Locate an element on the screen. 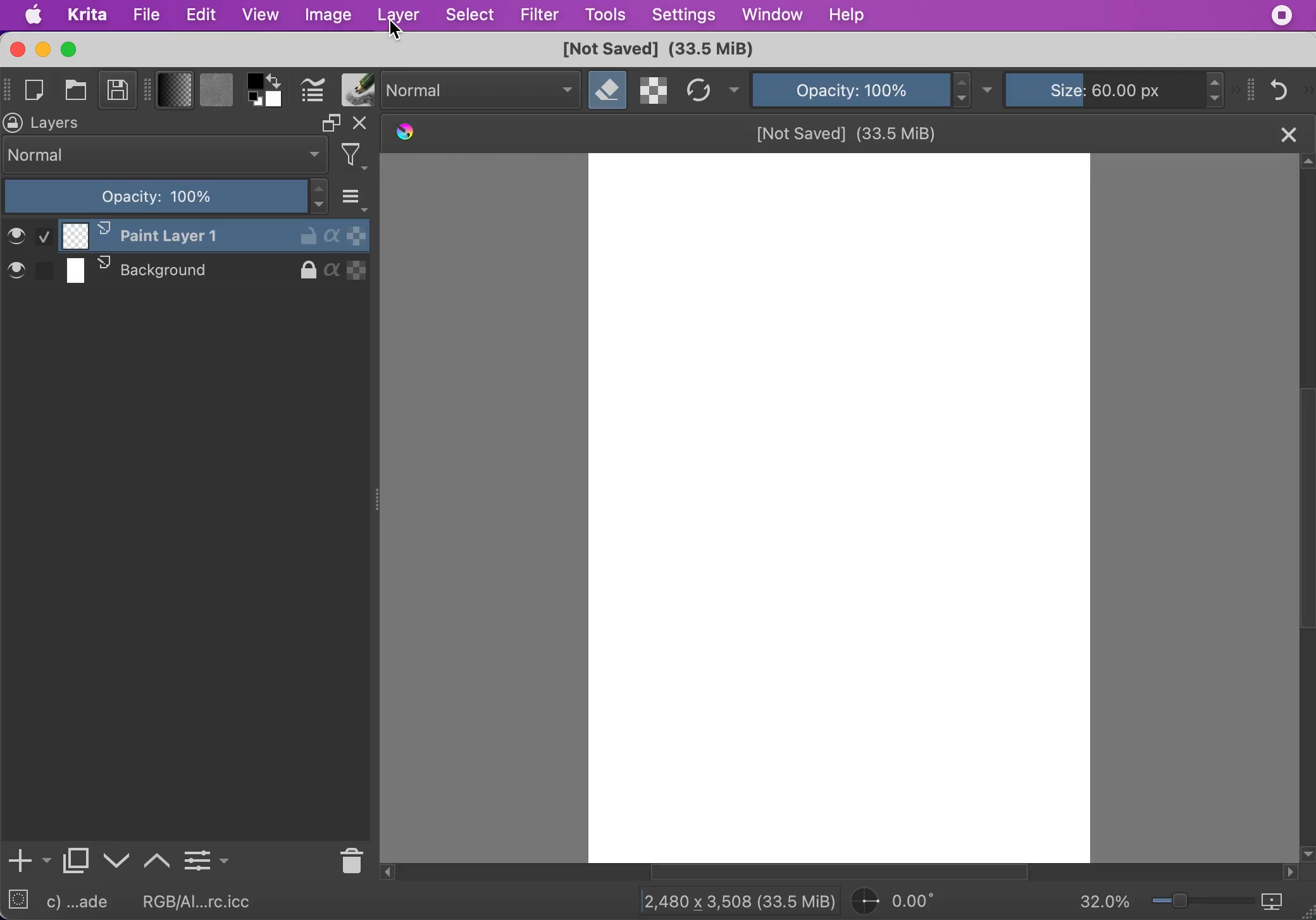 The width and height of the screenshot is (1316, 920). edit is located at coordinates (201, 15).